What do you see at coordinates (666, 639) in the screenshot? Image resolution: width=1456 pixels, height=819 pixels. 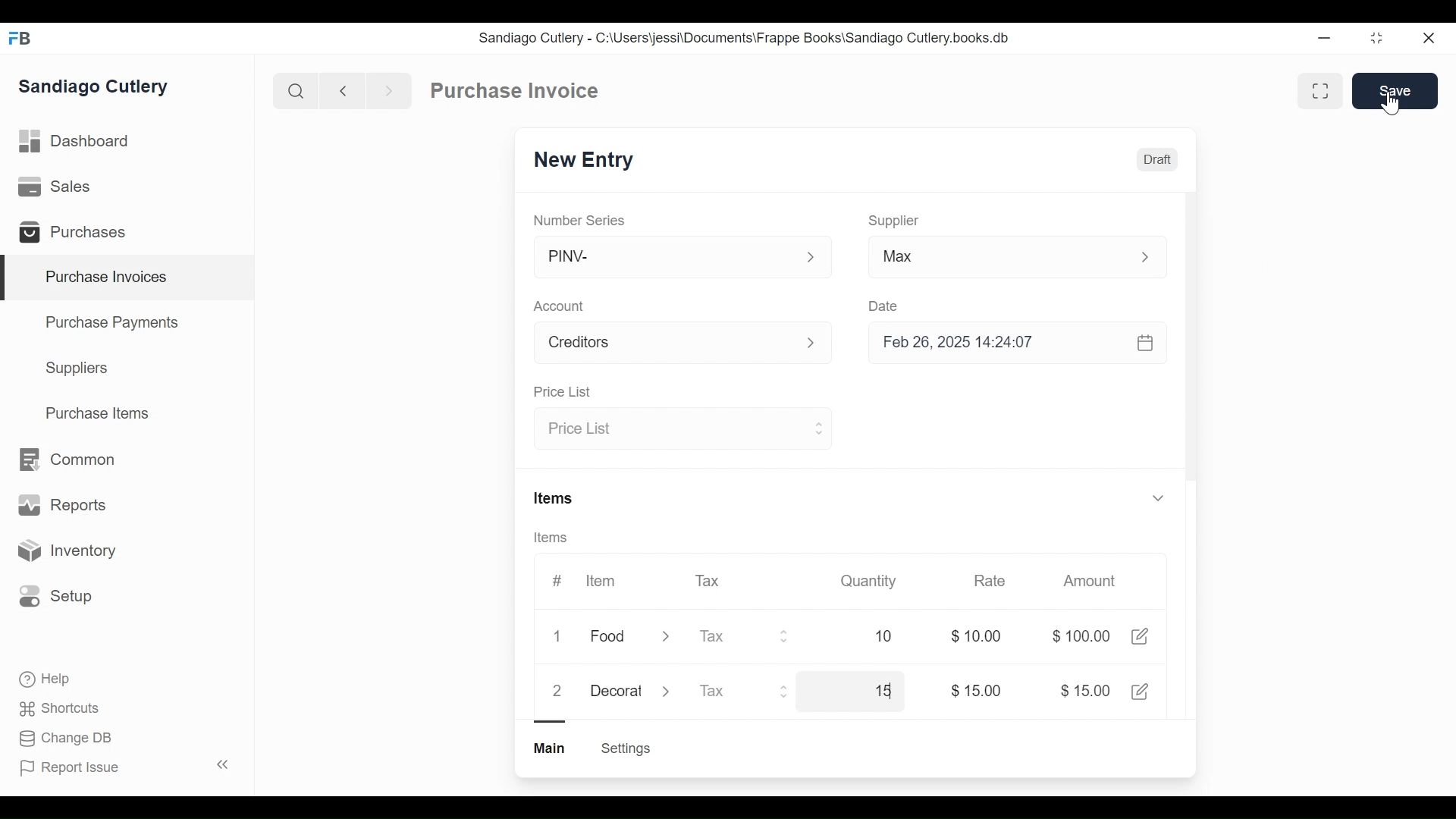 I see `Expand` at bounding box center [666, 639].